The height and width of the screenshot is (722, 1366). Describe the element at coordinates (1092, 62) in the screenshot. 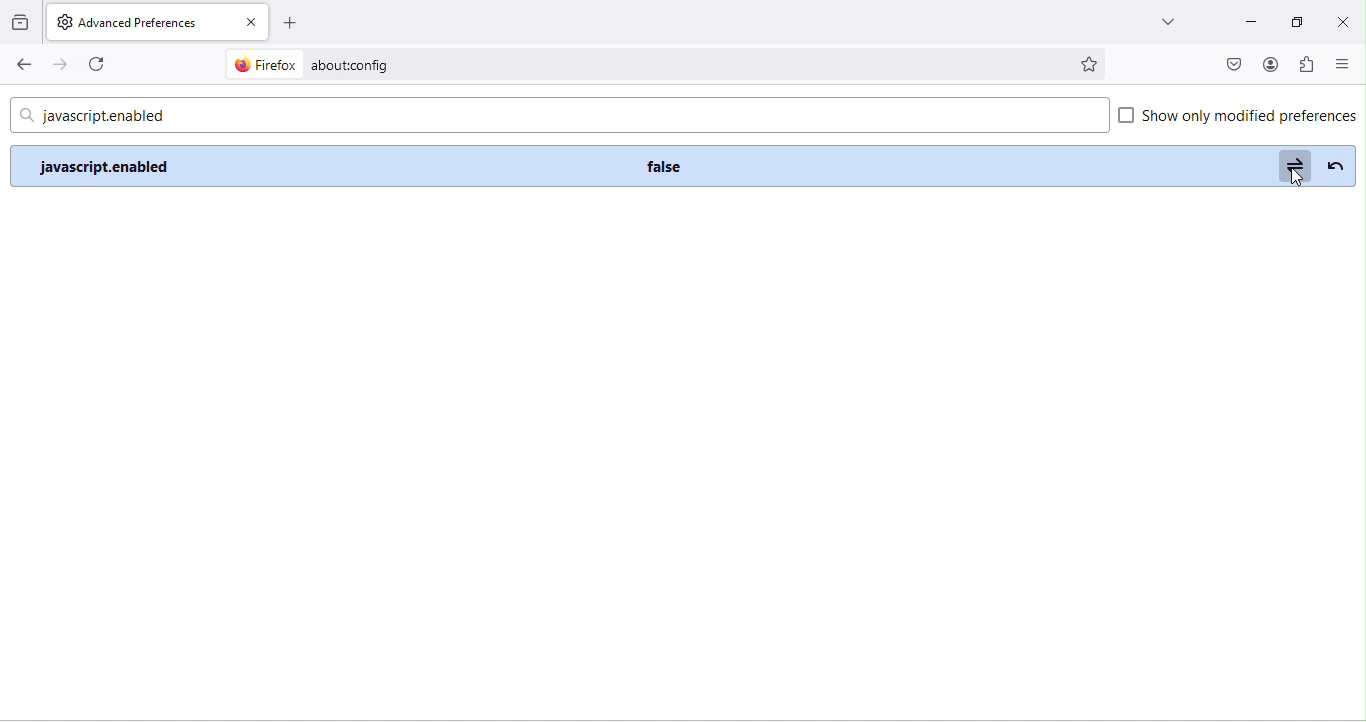

I see `bookmark` at that location.